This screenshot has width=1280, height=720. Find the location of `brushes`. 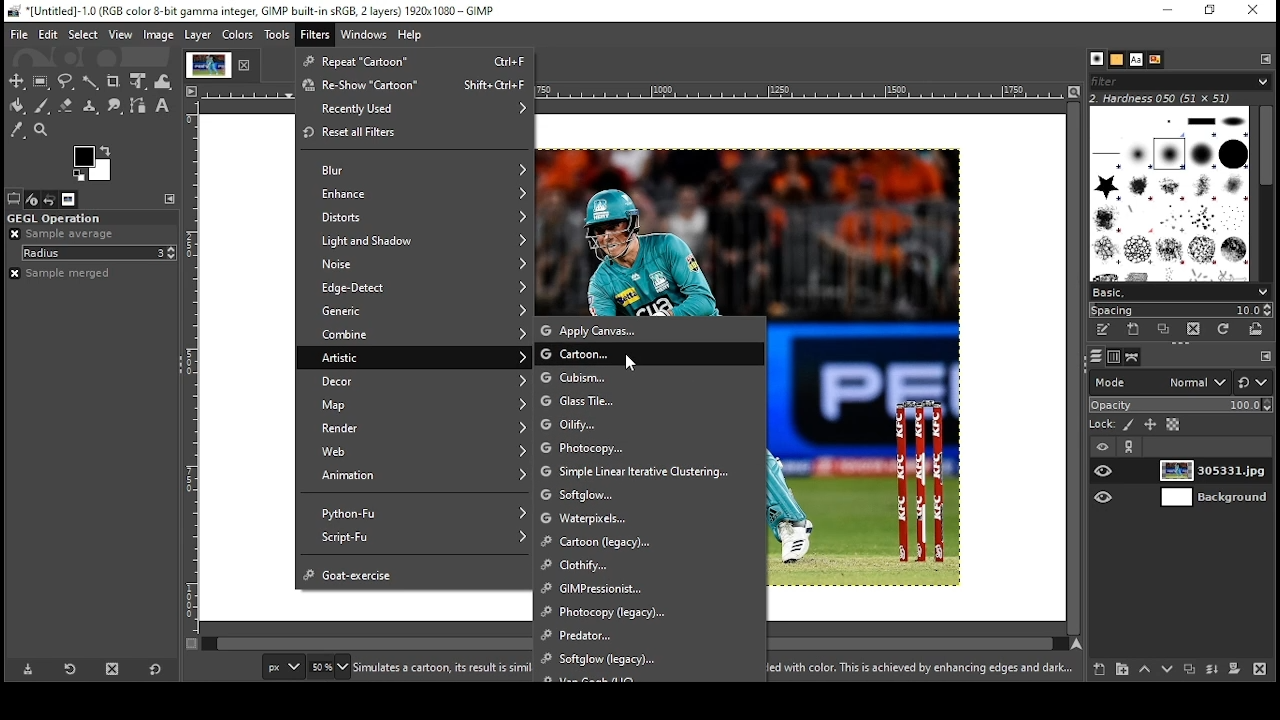

brushes is located at coordinates (1172, 196).